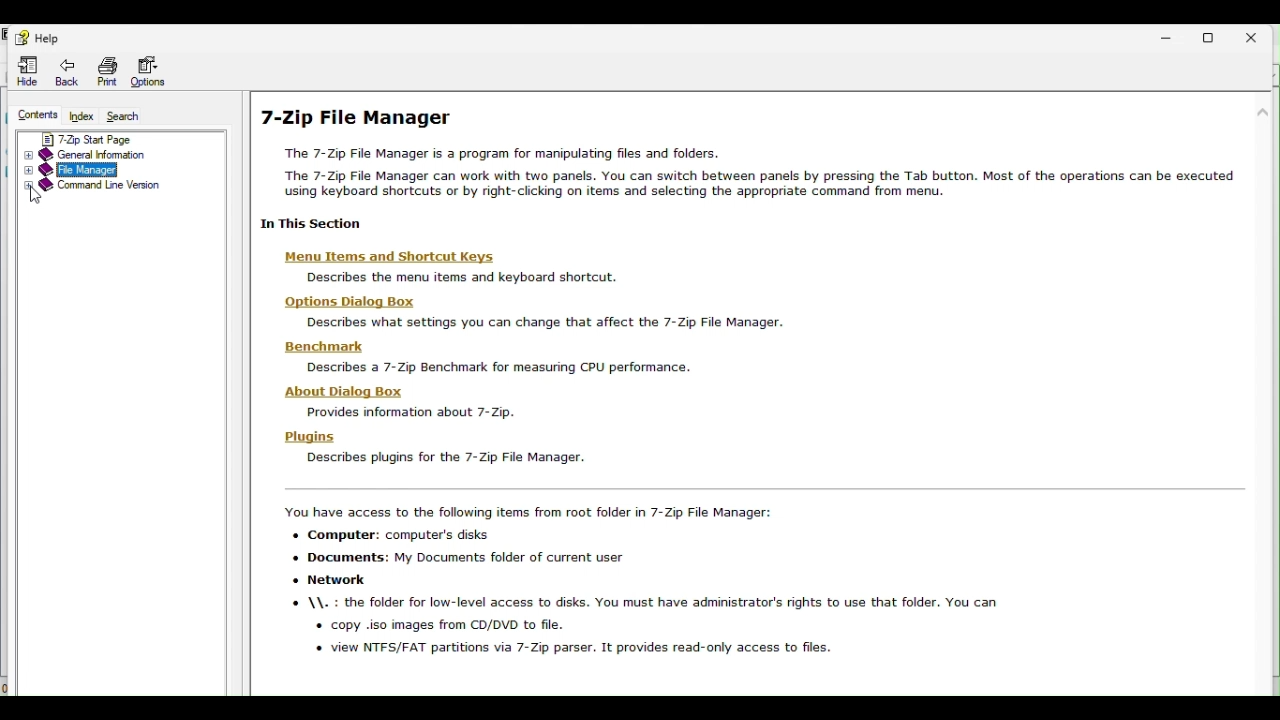  What do you see at coordinates (1262, 34) in the screenshot?
I see `Close ` at bounding box center [1262, 34].